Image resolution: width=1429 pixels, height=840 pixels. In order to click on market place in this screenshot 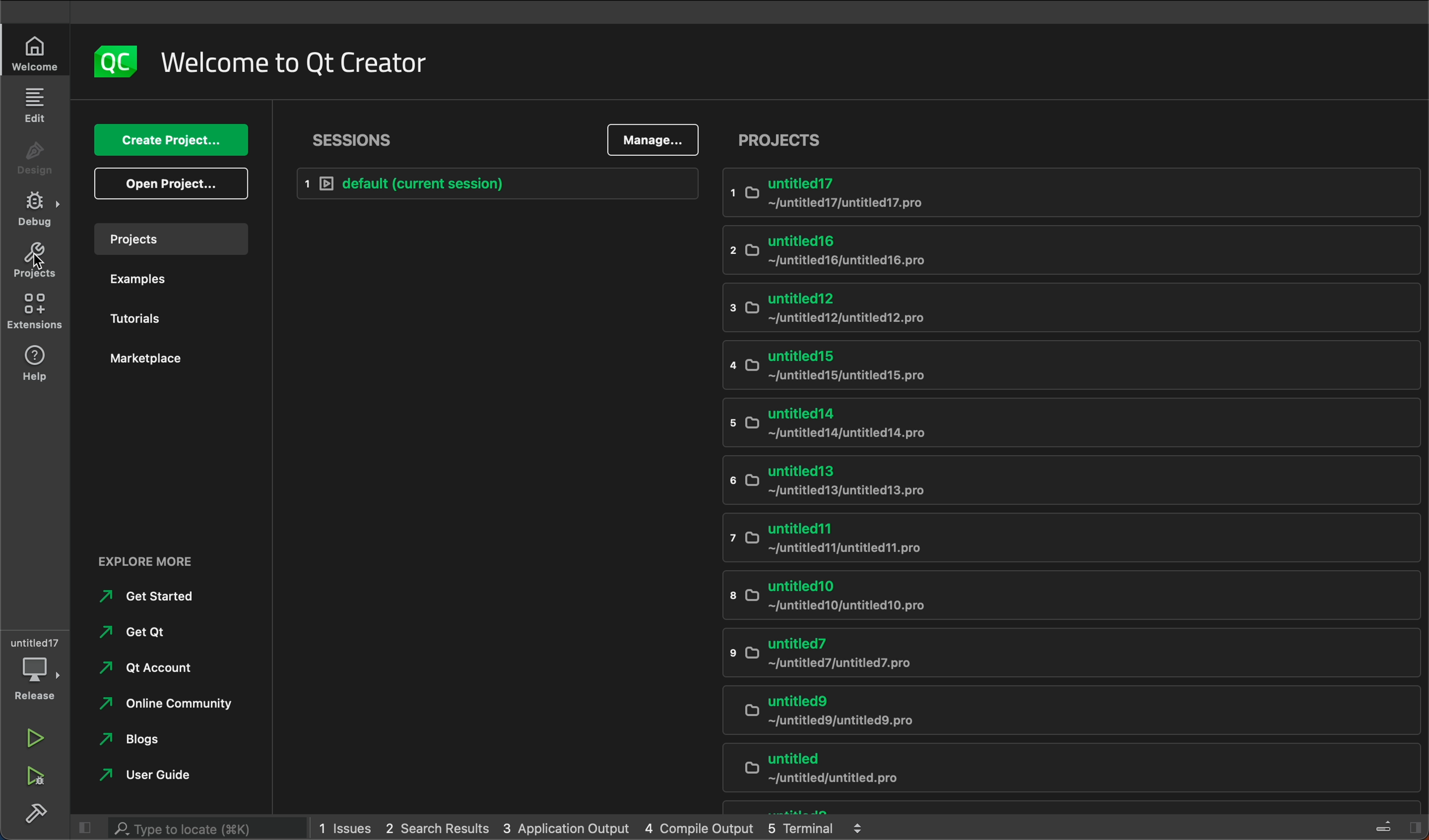, I will do `click(174, 359)`.